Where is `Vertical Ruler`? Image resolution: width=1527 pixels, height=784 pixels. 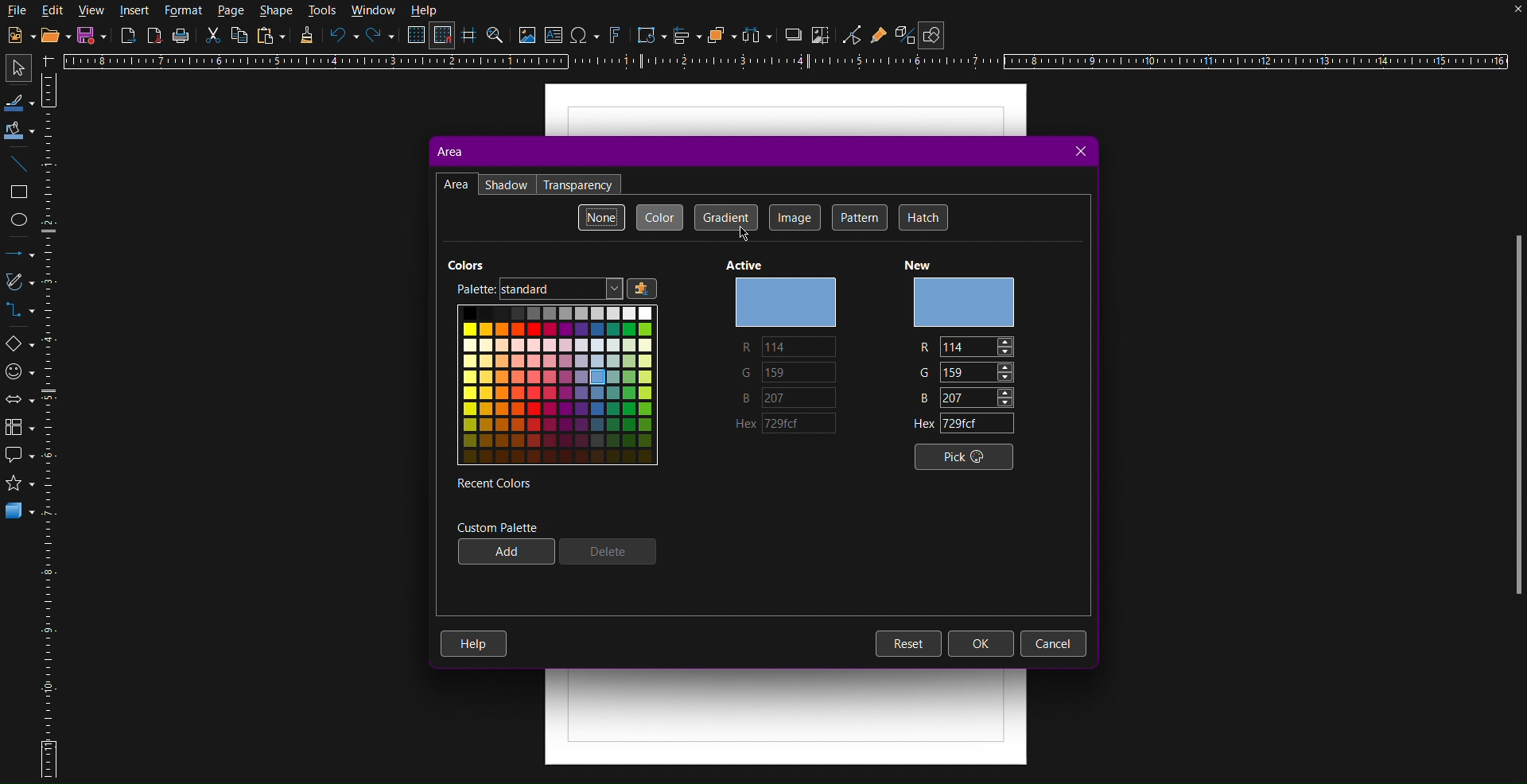 Vertical Ruler is located at coordinates (52, 424).